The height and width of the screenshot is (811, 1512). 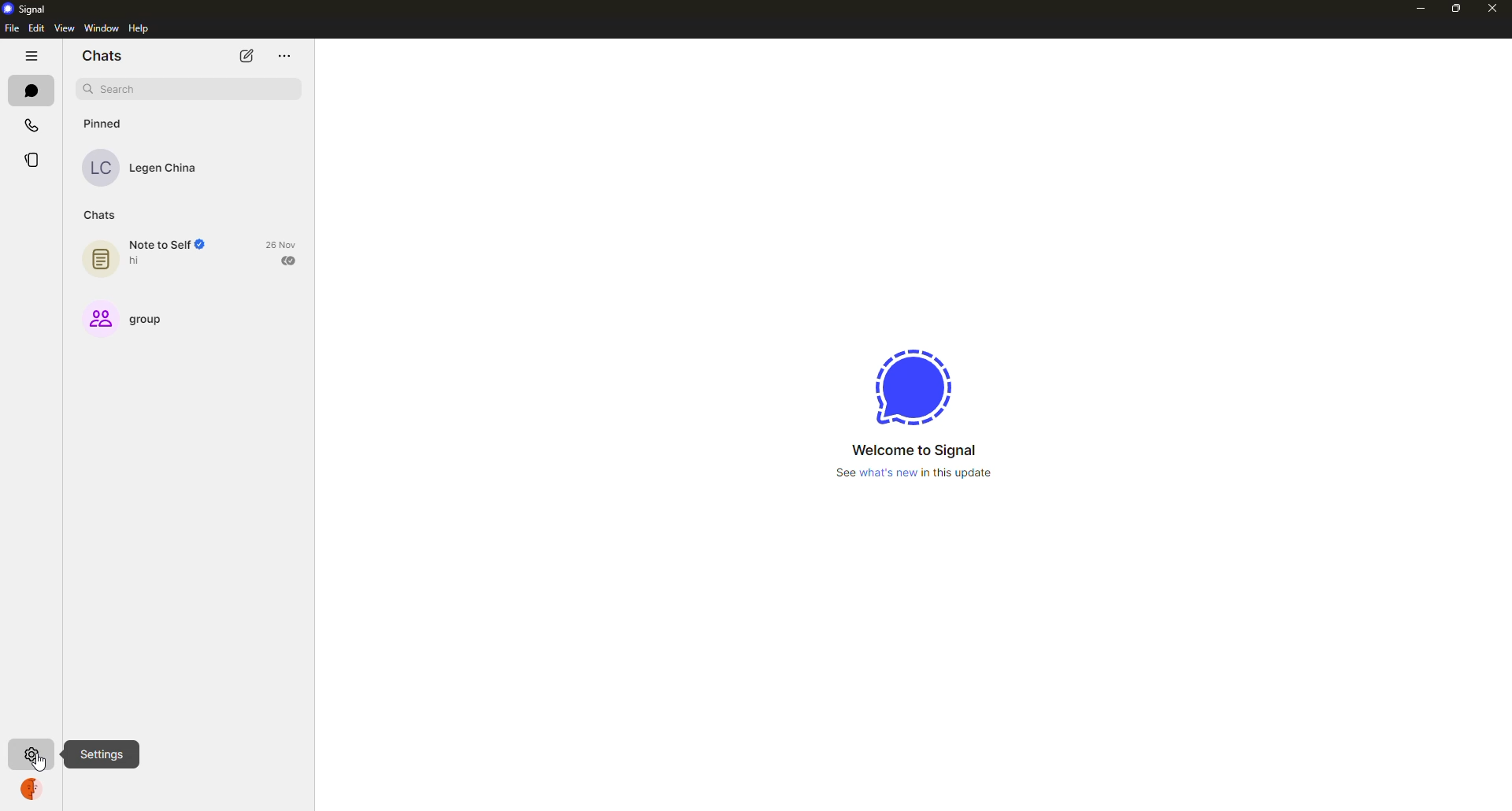 I want to click on See what's new in this update, so click(x=911, y=475).